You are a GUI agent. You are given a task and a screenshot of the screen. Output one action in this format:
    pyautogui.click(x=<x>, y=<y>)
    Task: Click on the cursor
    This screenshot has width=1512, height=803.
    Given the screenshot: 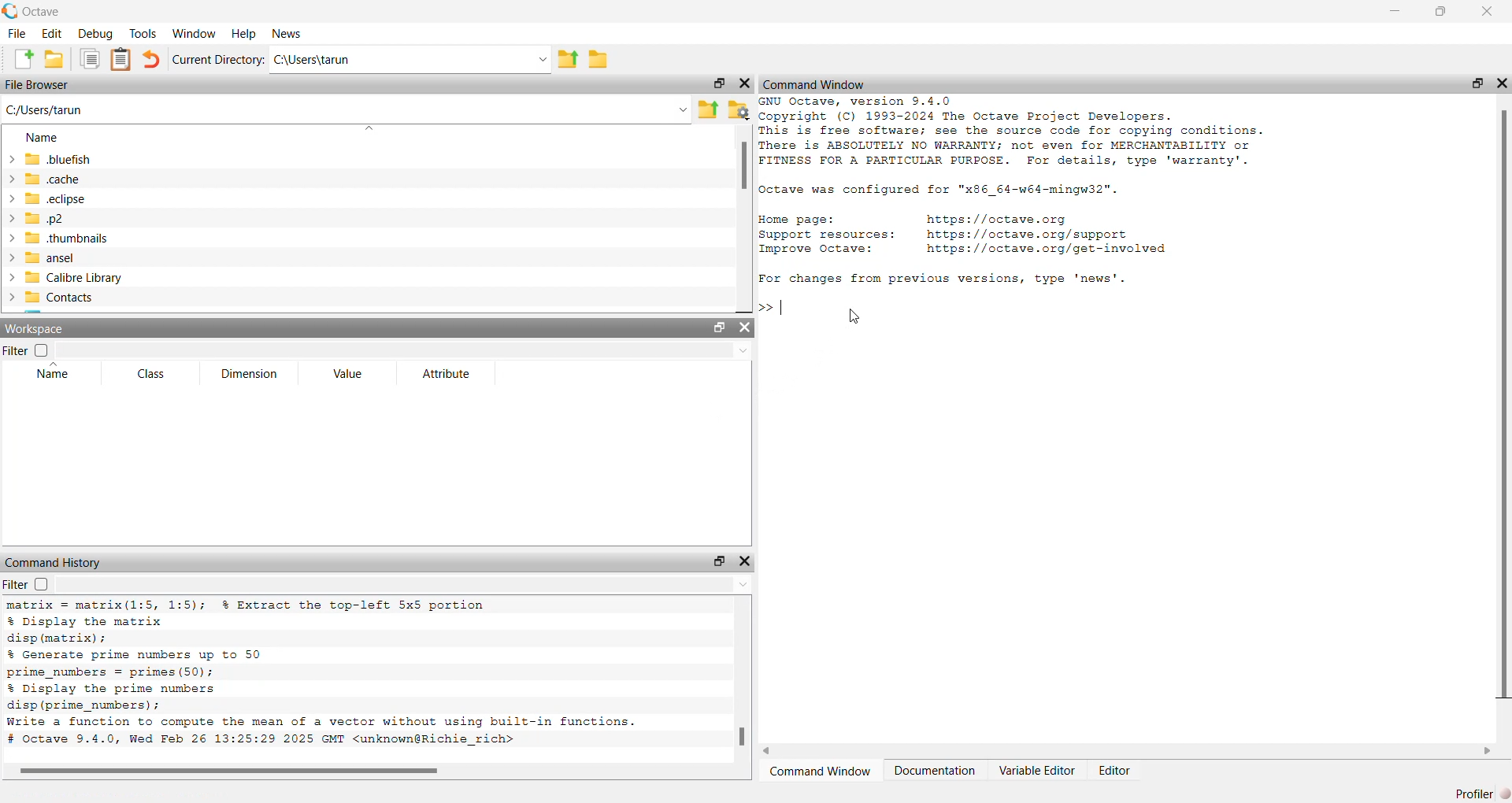 What is the action you would take?
    pyautogui.click(x=854, y=316)
    